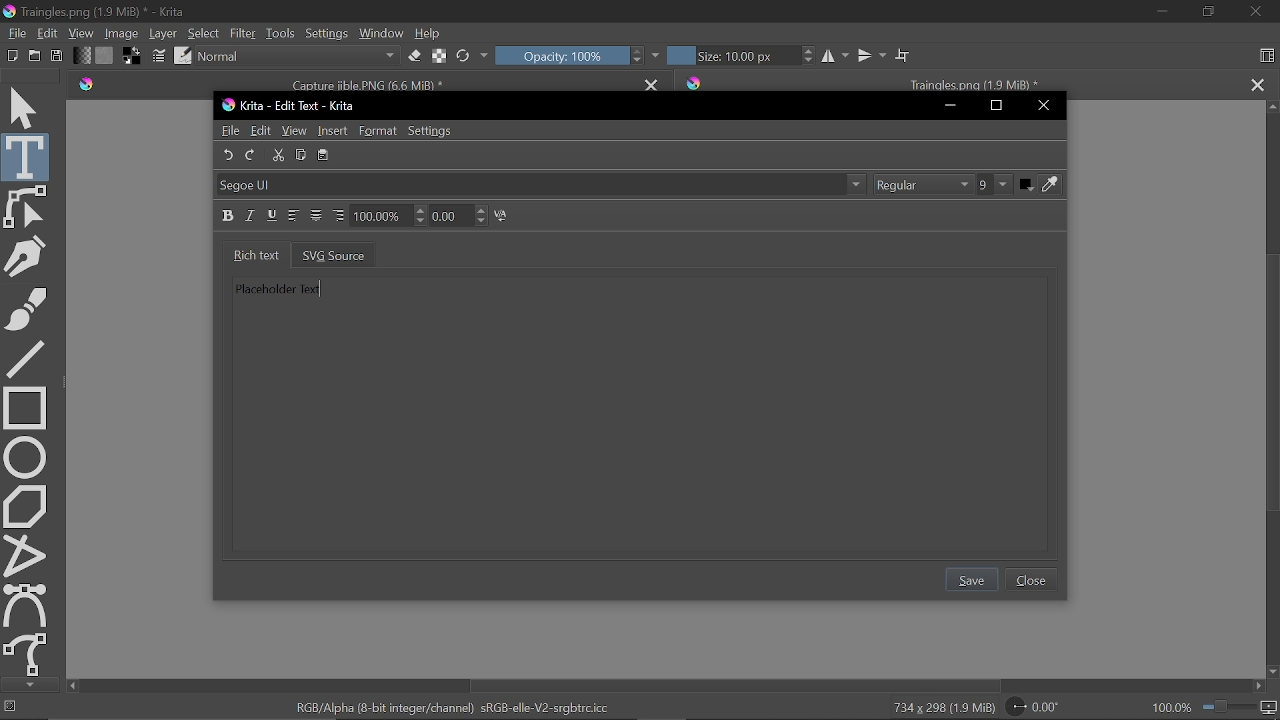 Image resolution: width=1280 pixels, height=720 pixels. What do you see at coordinates (440, 54) in the screenshot?
I see `Preserve Alpha` at bounding box center [440, 54].